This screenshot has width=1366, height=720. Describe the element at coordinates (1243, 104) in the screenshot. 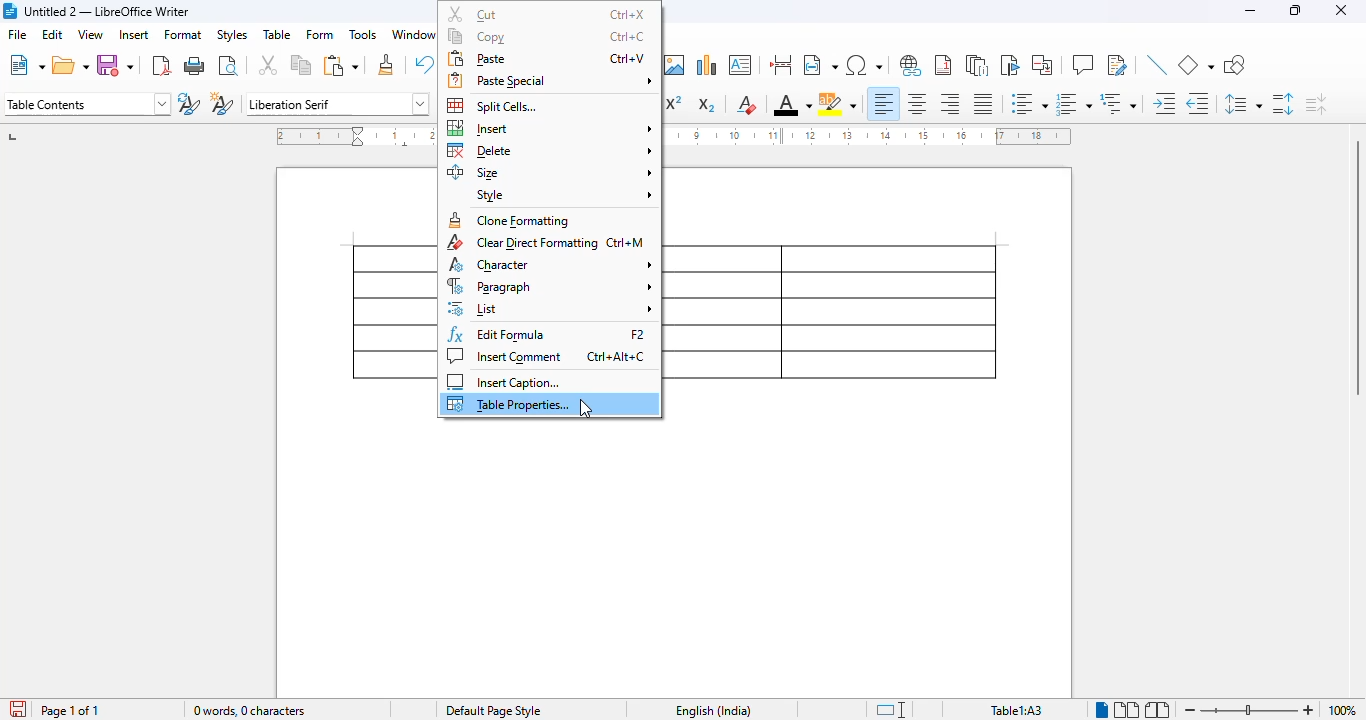

I see `set line spacing` at that location.